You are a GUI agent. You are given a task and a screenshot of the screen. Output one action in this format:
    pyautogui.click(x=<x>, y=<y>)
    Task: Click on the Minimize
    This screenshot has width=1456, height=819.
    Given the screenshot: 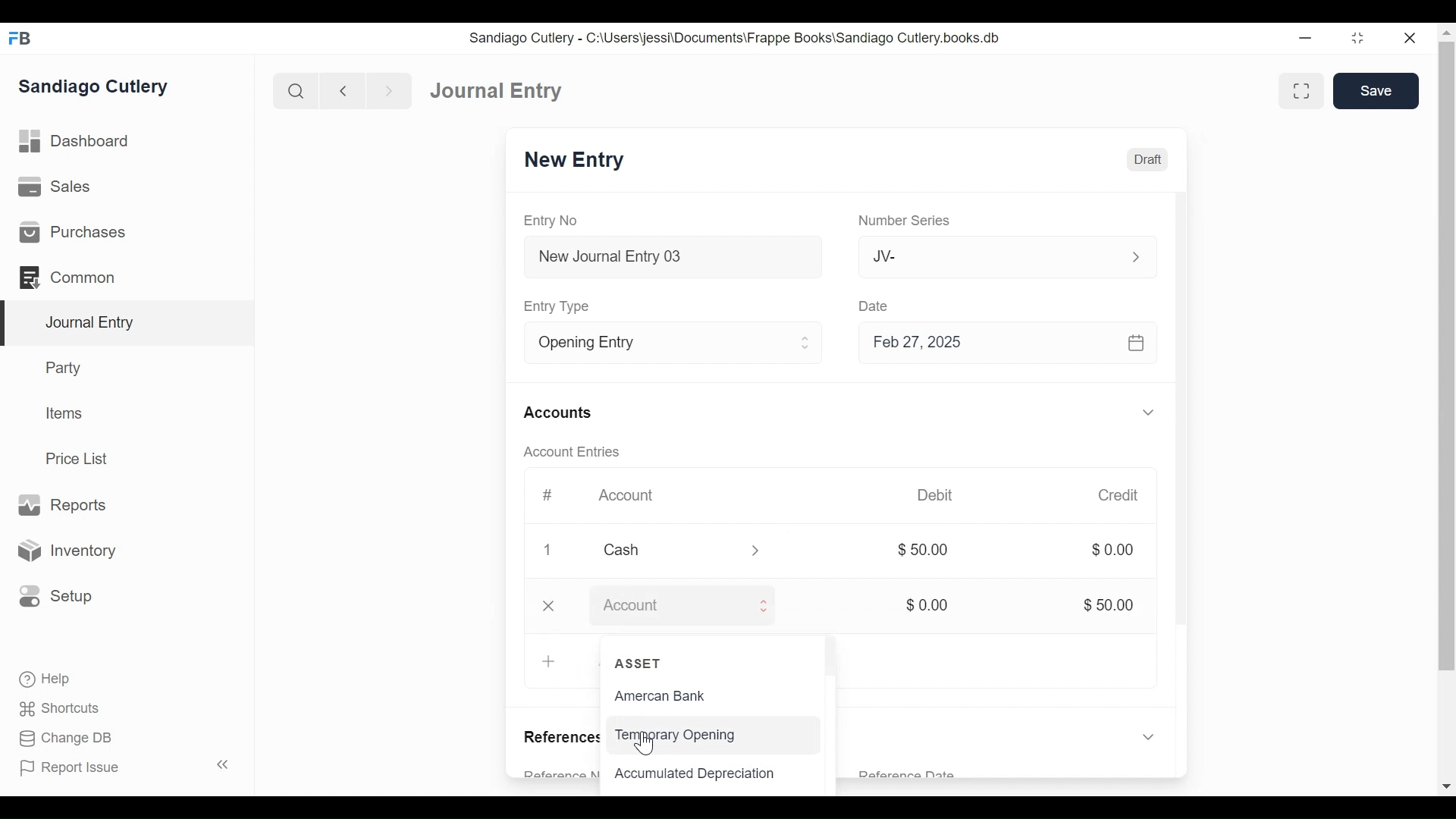 What is the action you would take?
    pyautogui.click(x=1307, y=37)
    